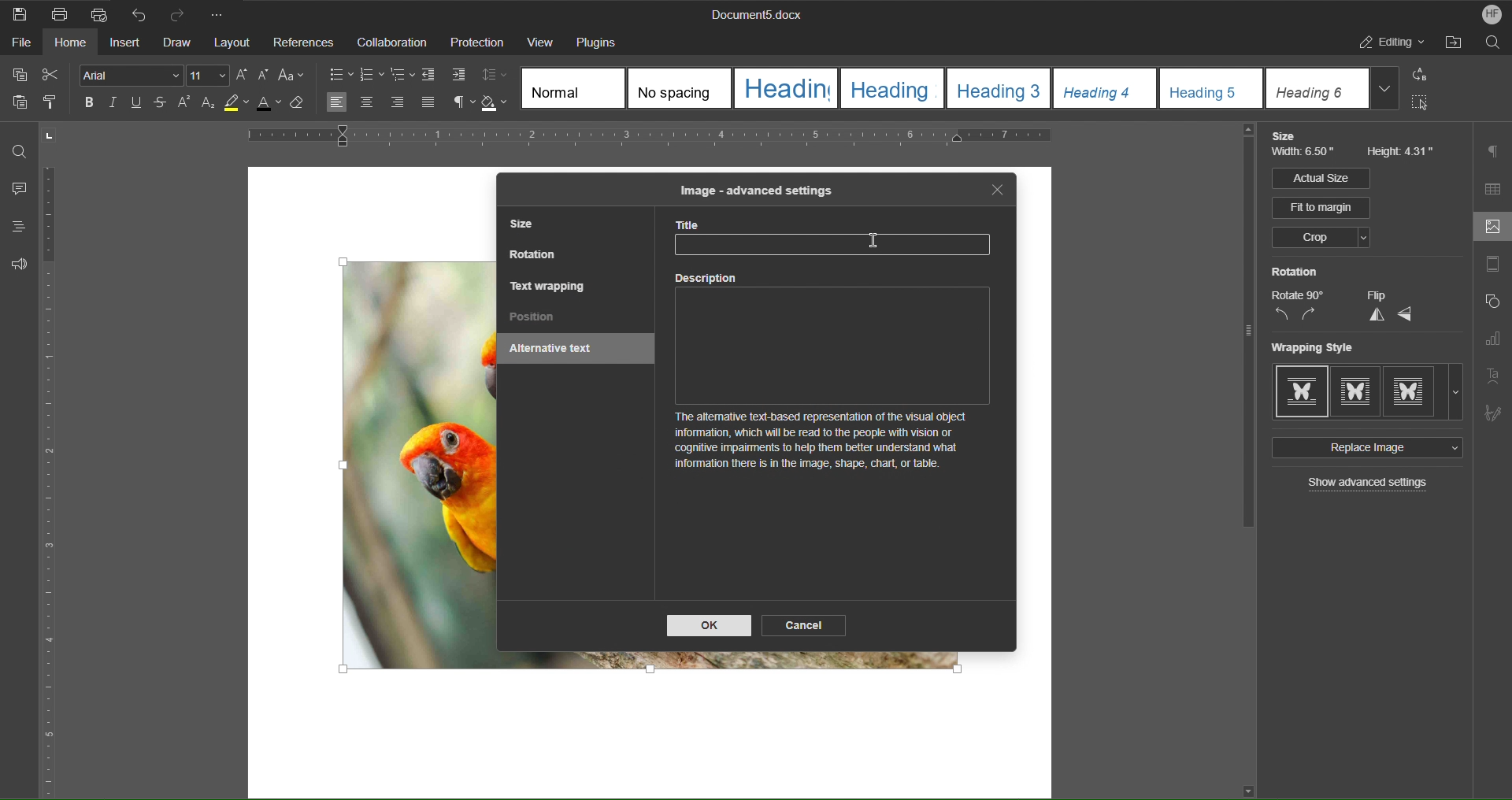 Image resolution: width=1512 pixels, height=800 pixels. What do you see at coordinates (1493, 409) in the screenshot?
I see `Signature` at bounding box center [1493, 409].